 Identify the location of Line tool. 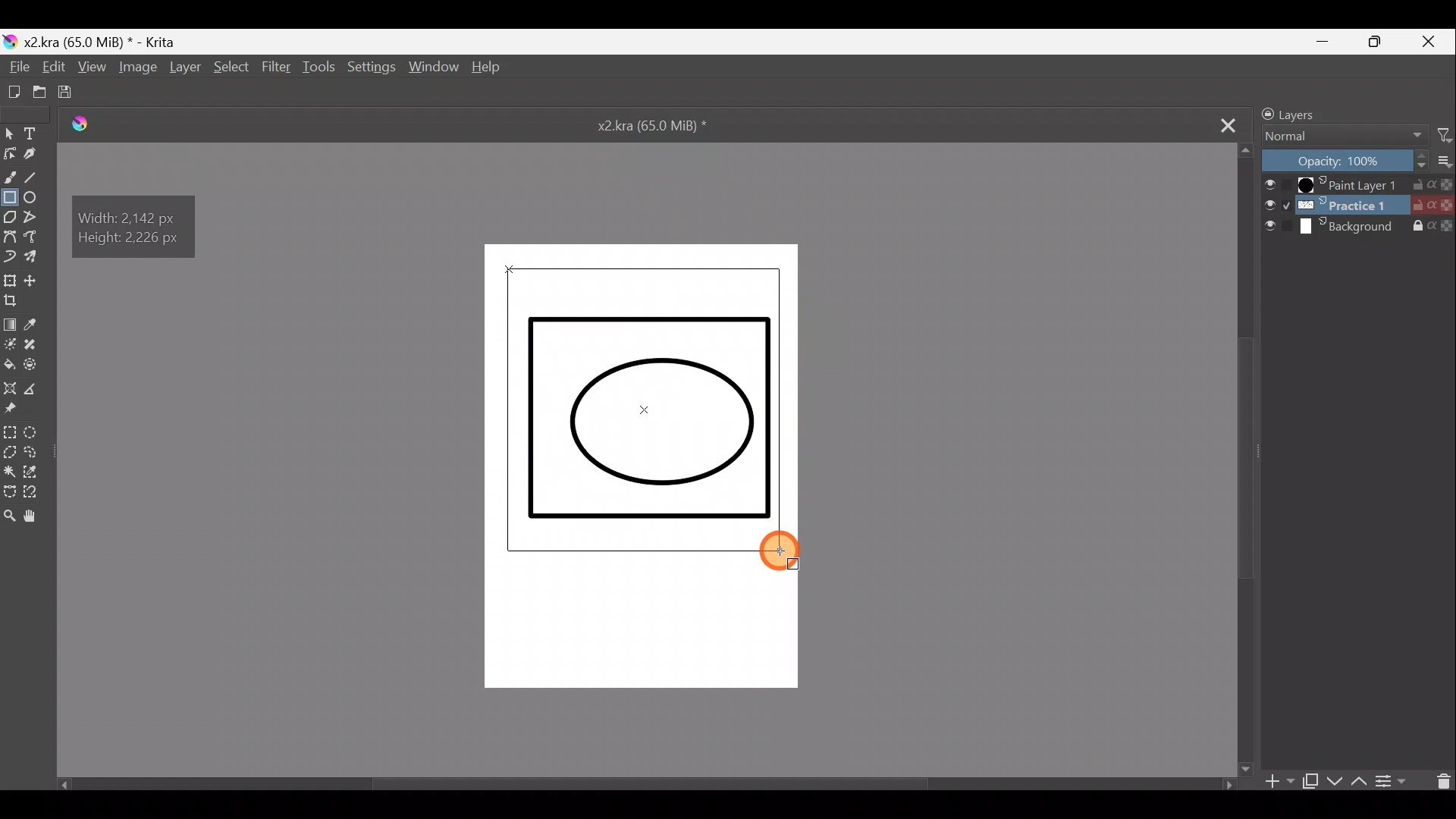
(39, 180).